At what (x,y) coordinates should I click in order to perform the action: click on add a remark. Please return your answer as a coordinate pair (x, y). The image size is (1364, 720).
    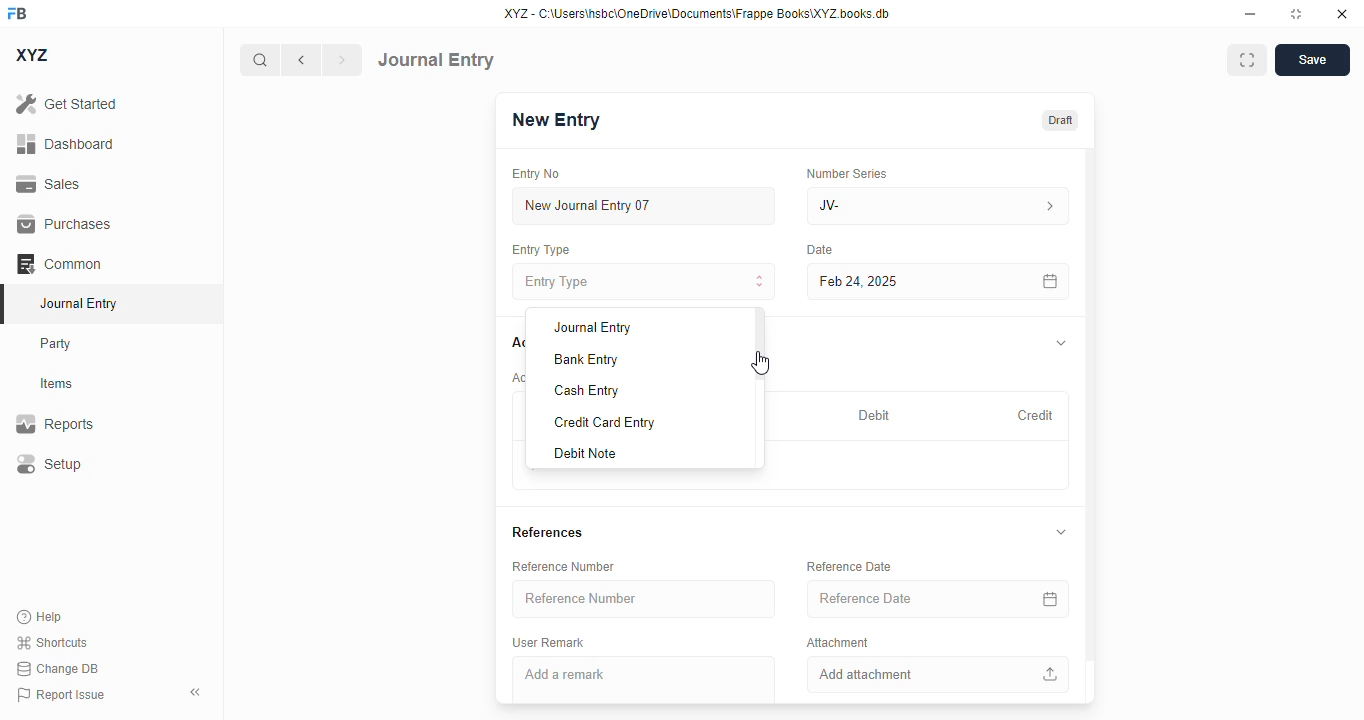
    Looking at the image, I should click on (643, 679).